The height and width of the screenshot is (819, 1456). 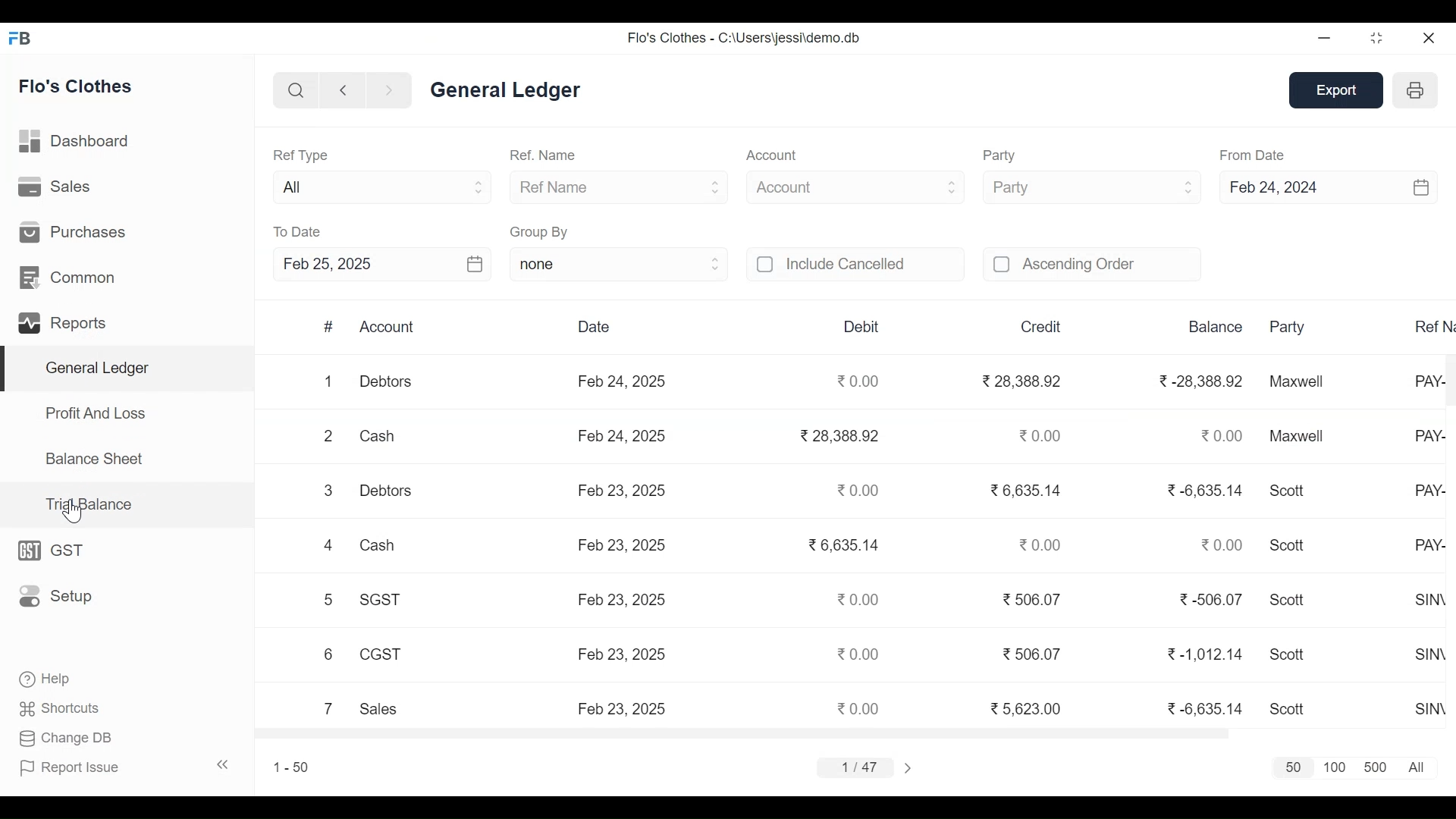 I want to click on Next, so click(x=908, y=767).